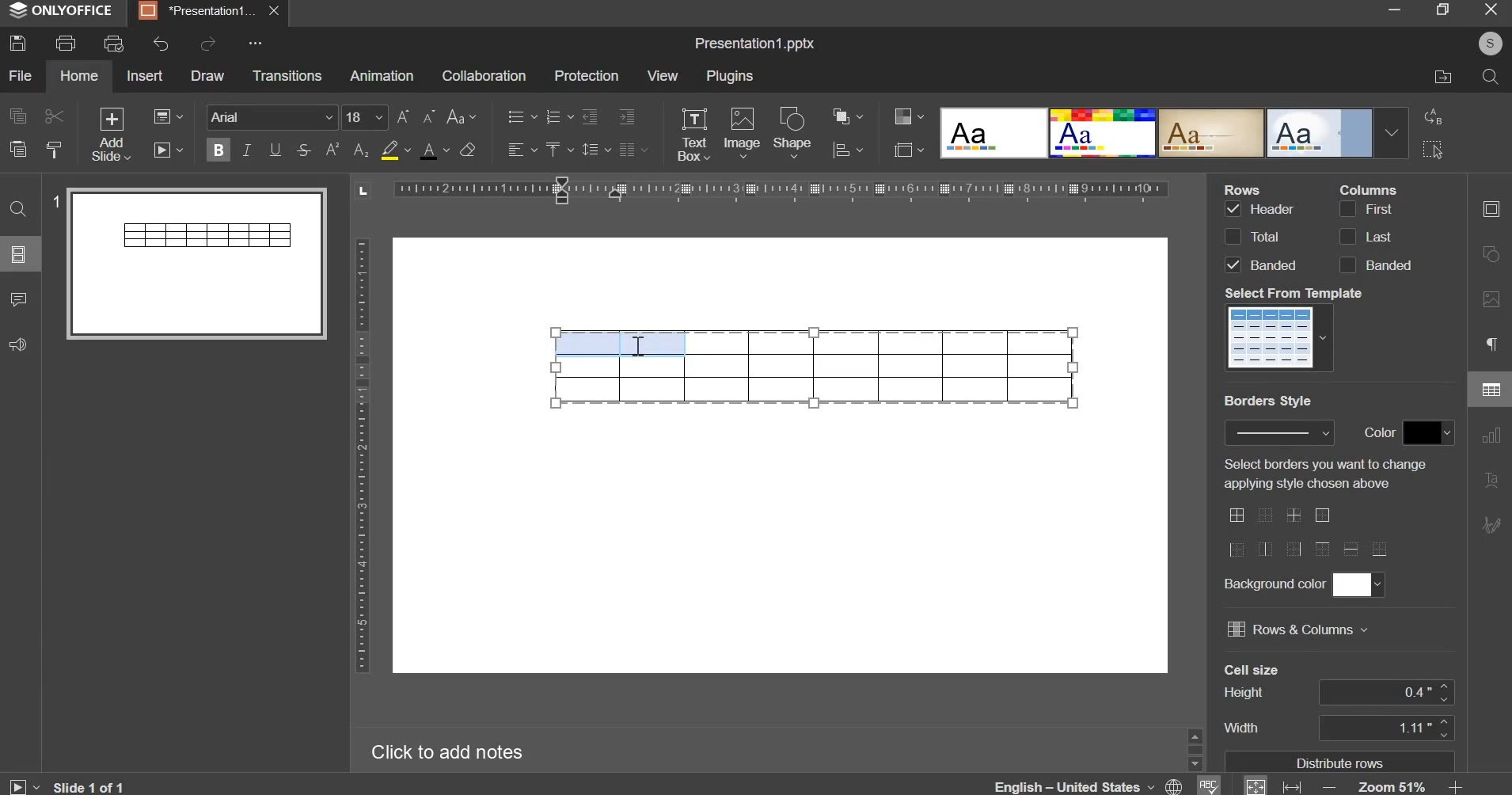 This screenshot has height=795, width=1512. What do you see at coordinates (731, 76) in the screenshot?
I see `plugins` at bounding box center [731, 76].